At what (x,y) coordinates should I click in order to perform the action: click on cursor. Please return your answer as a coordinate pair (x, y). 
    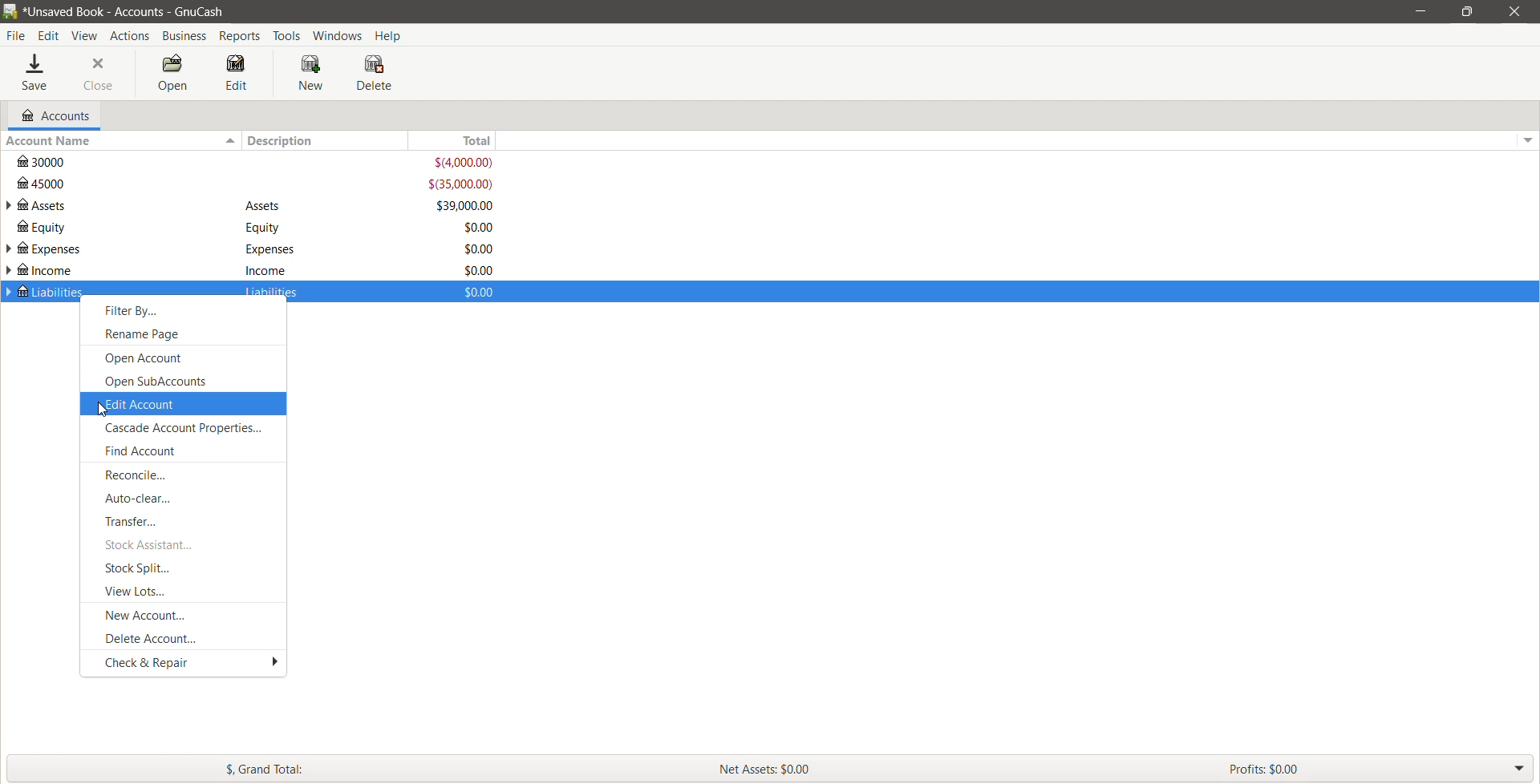
    Looking at the image, I should click on (102, 411).